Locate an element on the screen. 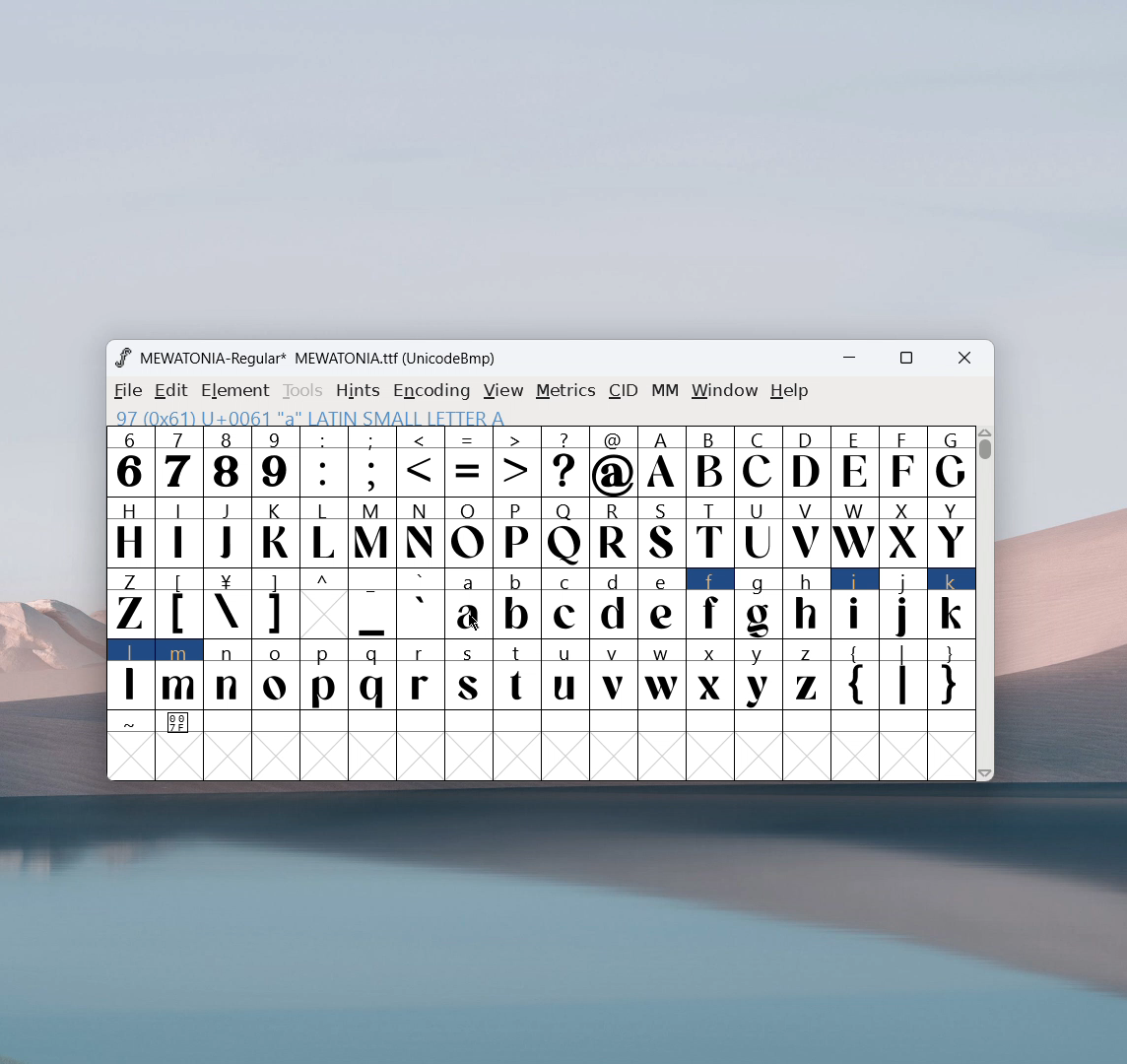  cursor is located at coordinates (473, 623).